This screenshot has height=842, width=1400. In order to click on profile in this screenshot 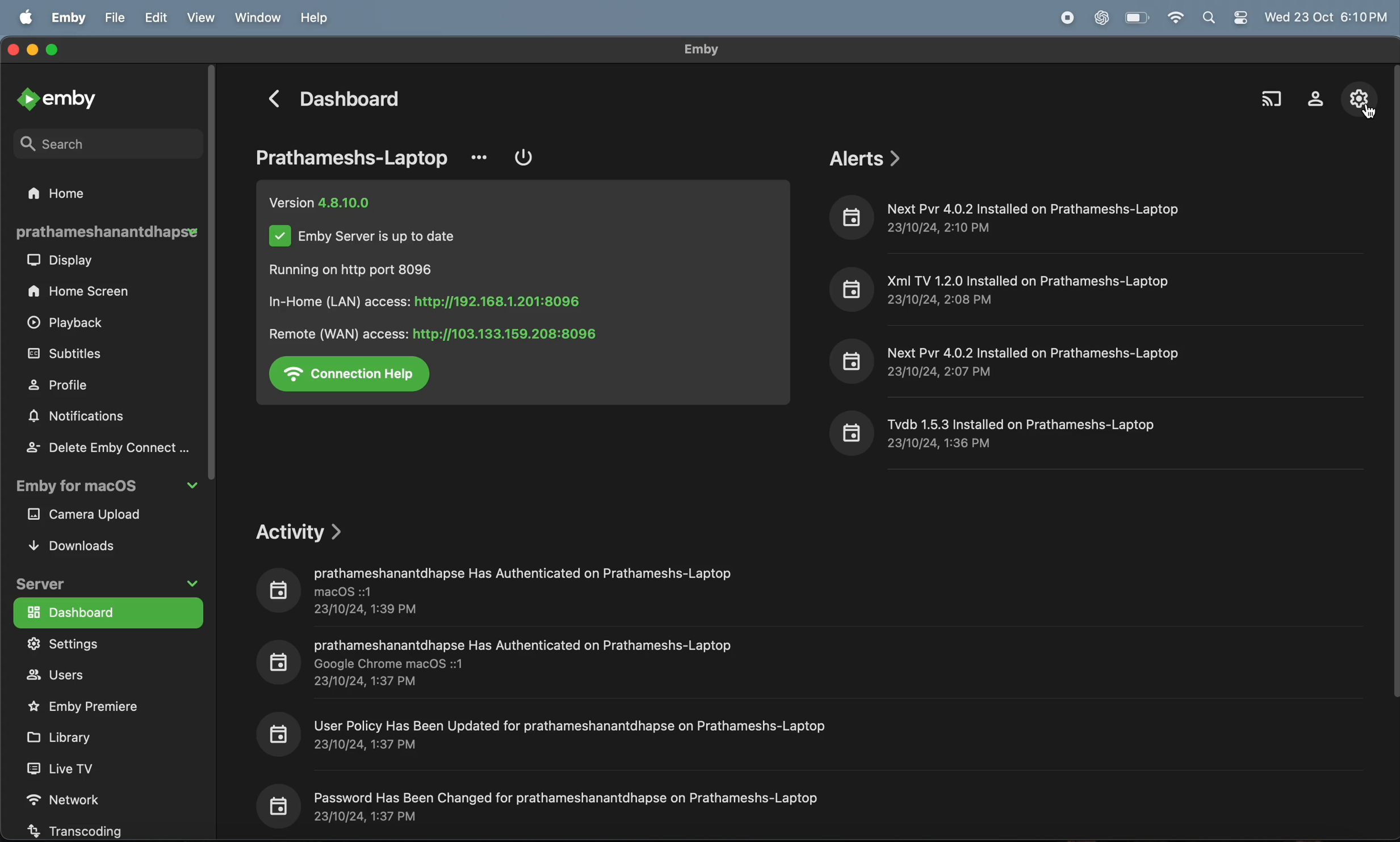, I will do `click(1312, 99)`.